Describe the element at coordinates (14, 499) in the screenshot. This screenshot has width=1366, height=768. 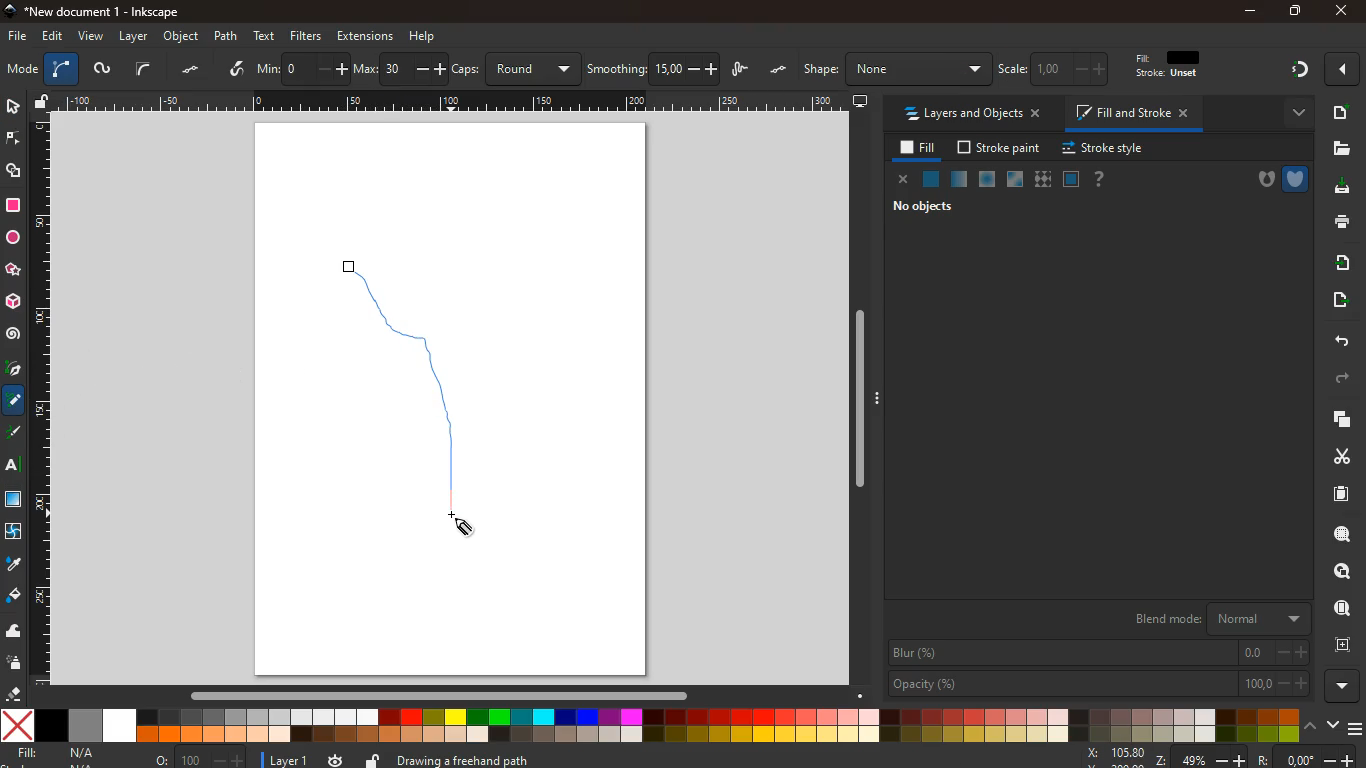
I see `texture` at that location.